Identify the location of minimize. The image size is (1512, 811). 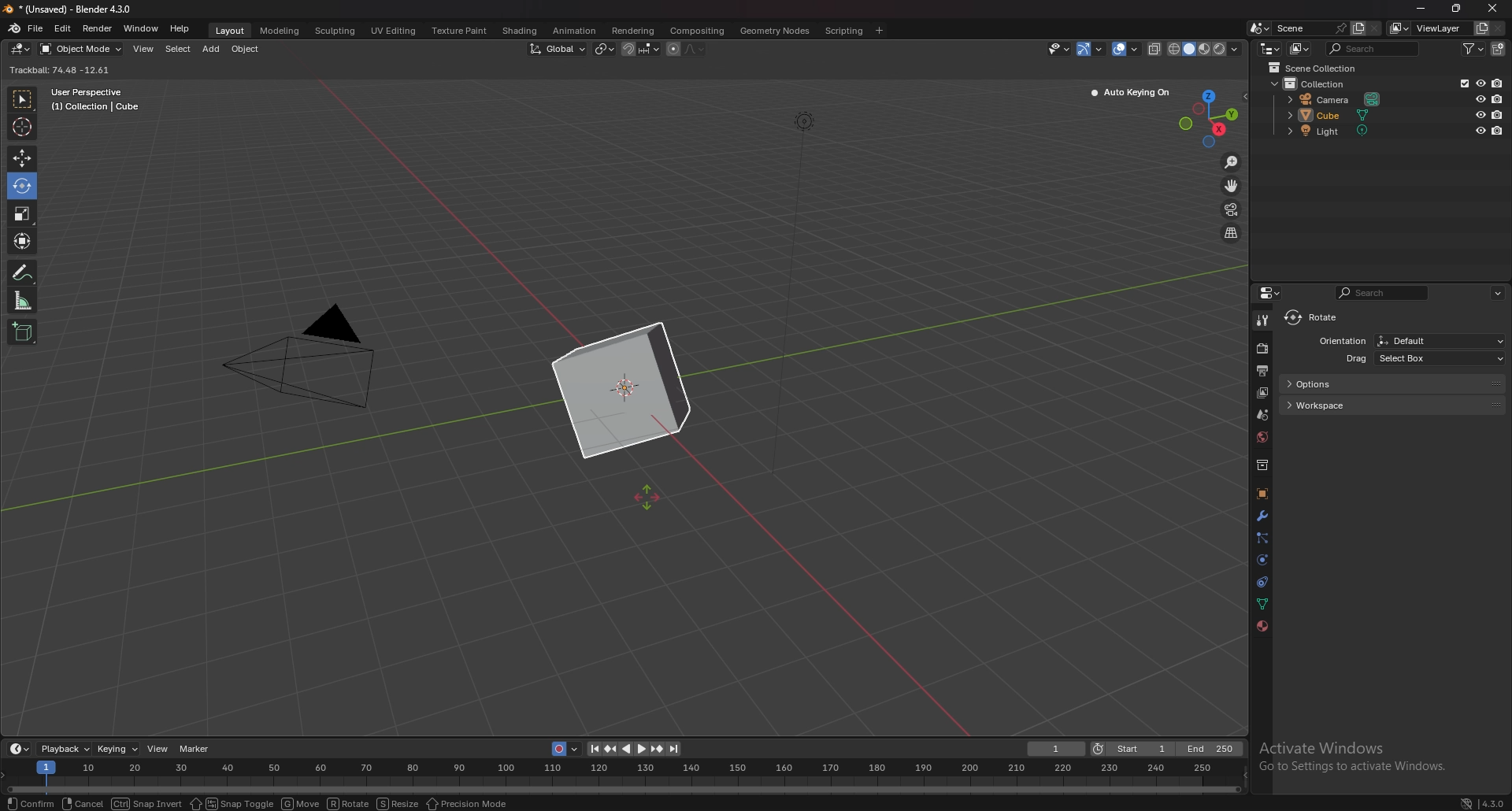
(1421, 7).